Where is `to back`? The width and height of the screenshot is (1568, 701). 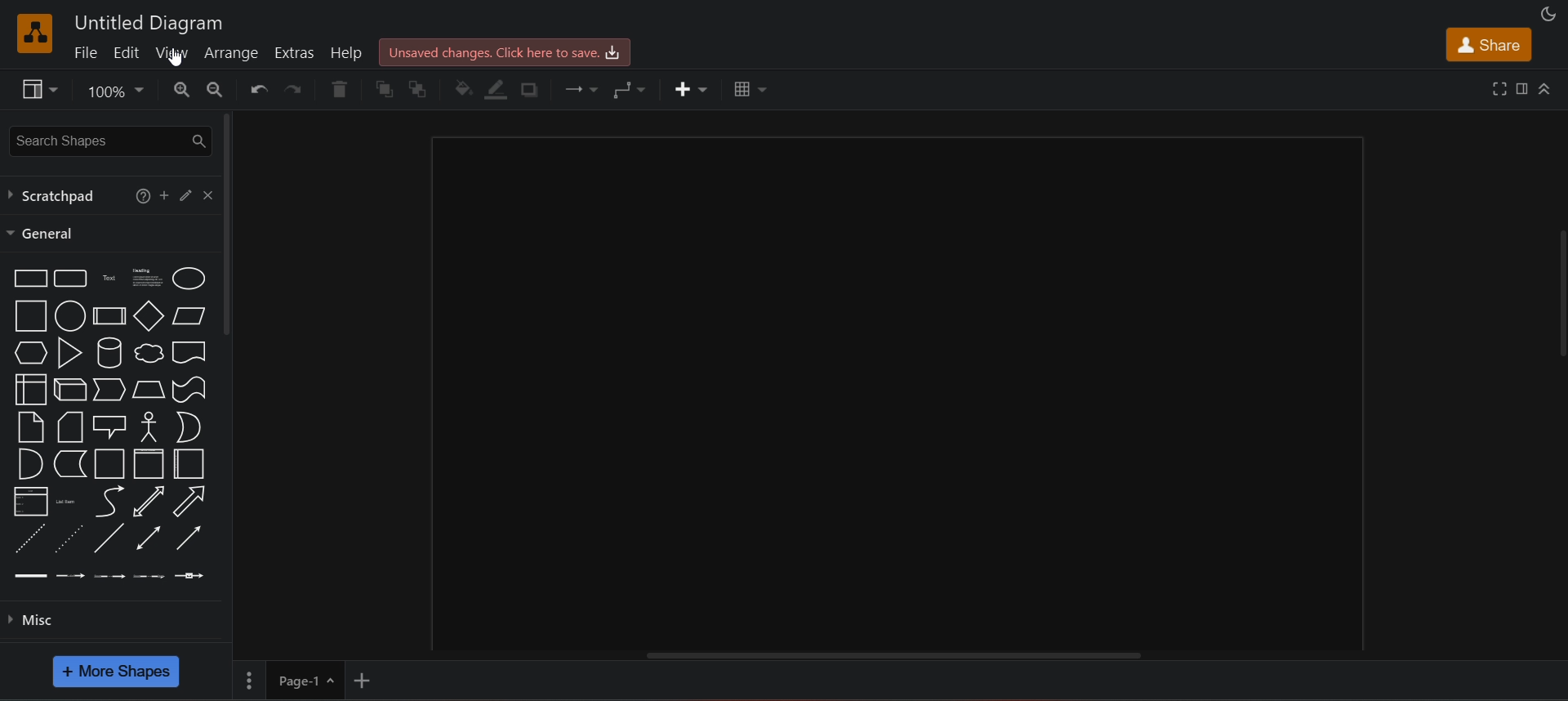 to back is located at coordinates (417, 88).